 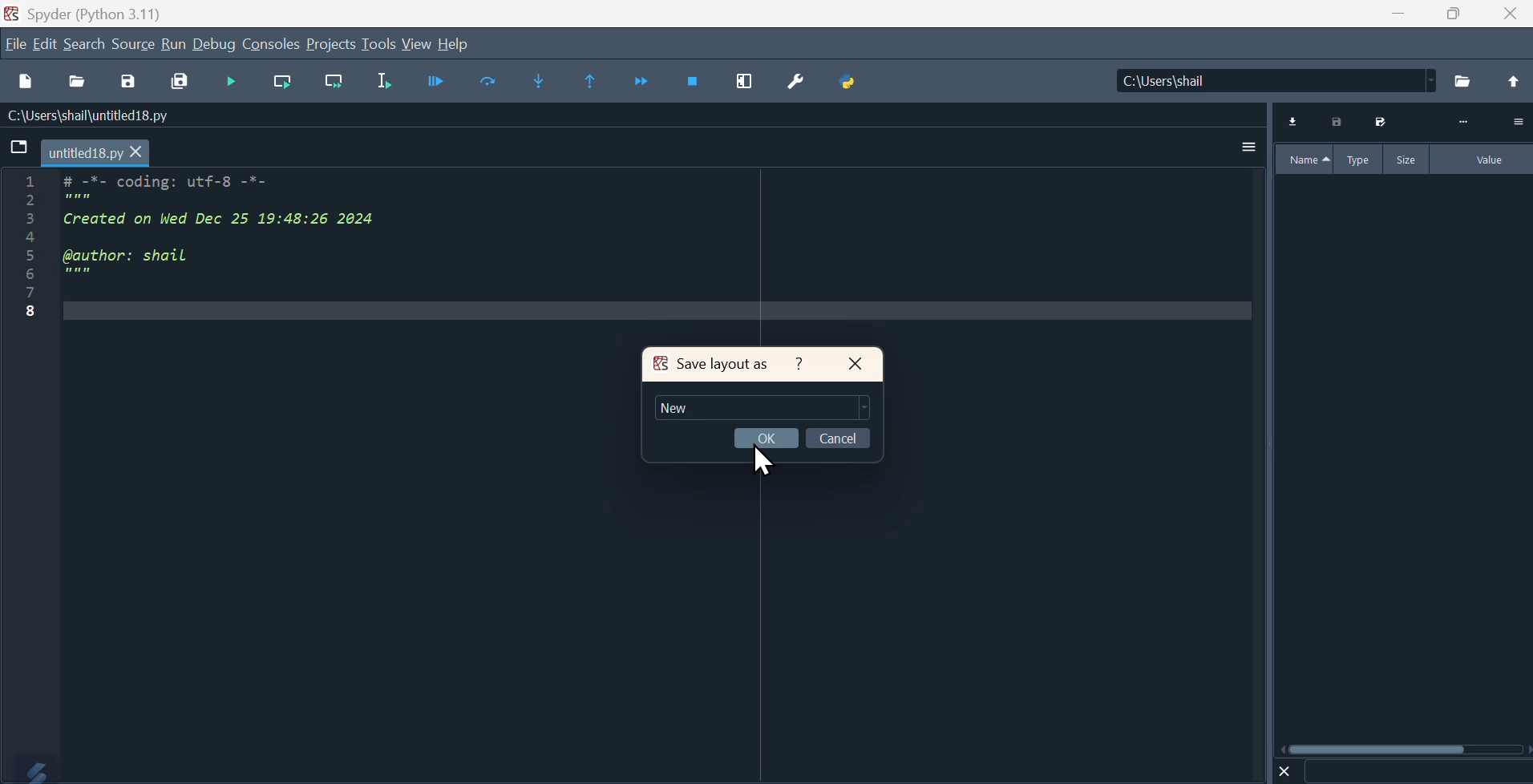 I want to click on OK, so click(x=766, y=438).